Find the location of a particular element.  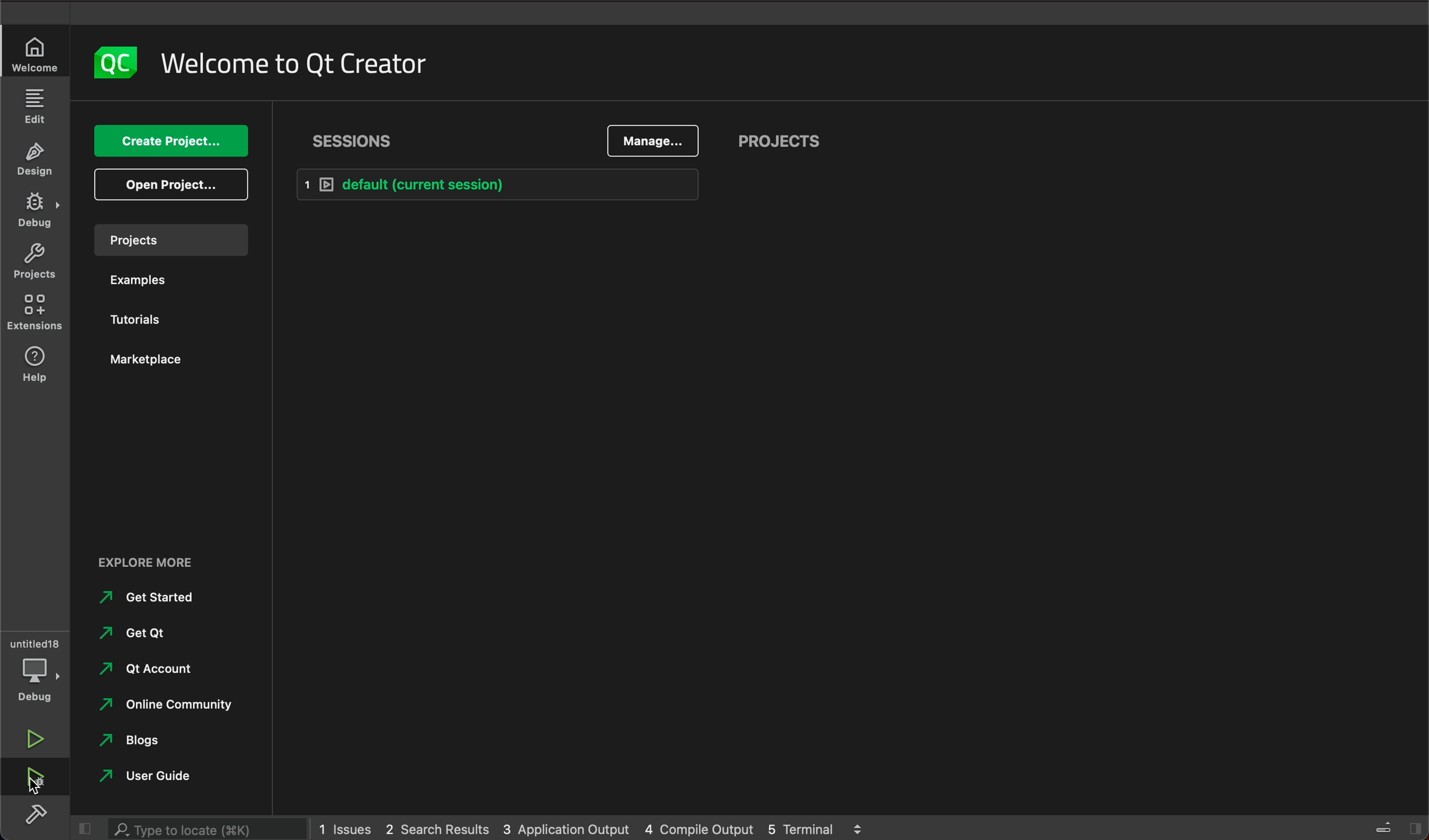

close sidebar is located at coordinates (1400, 827).